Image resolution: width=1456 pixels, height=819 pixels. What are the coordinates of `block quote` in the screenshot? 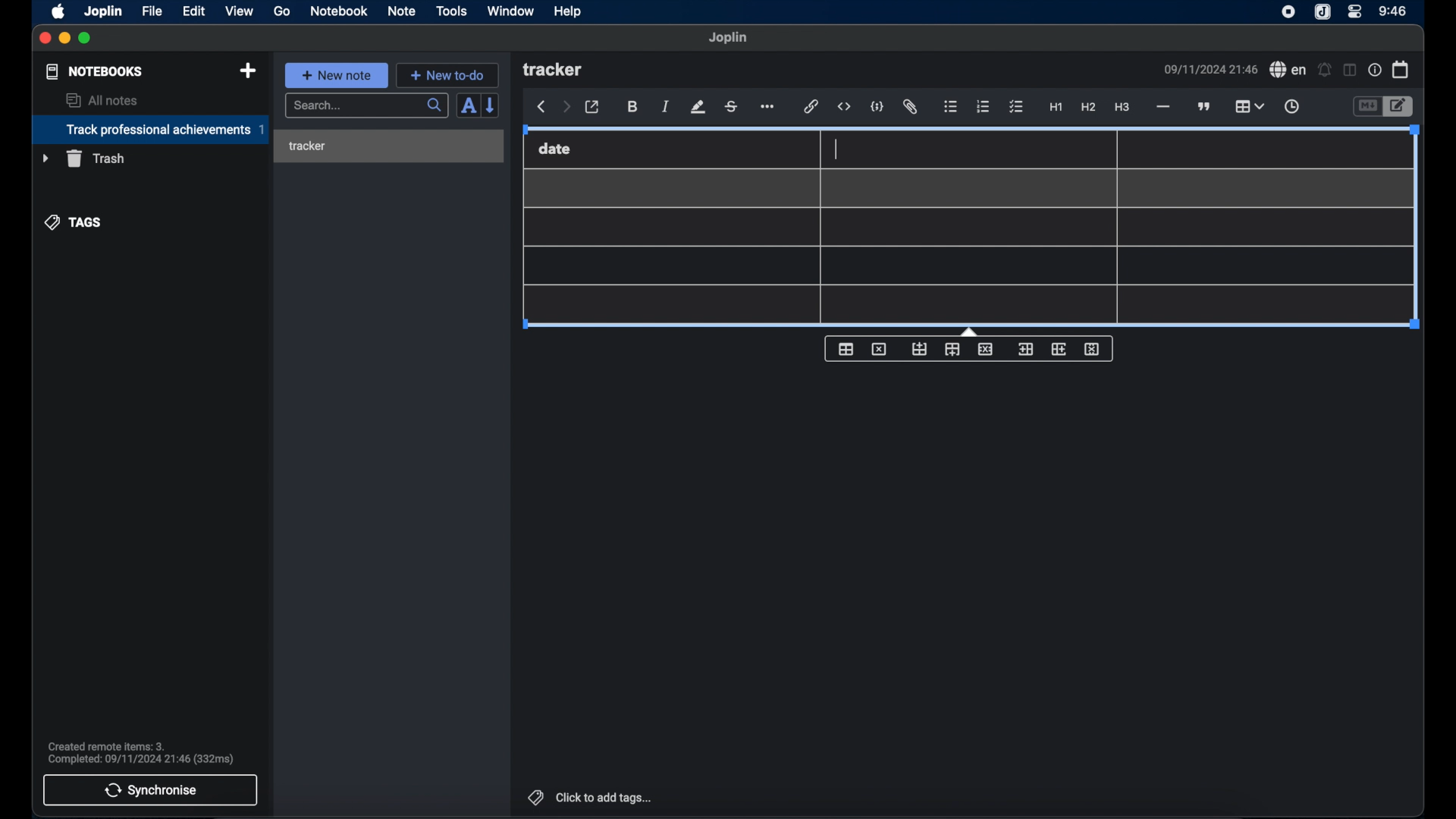 It's located at (1205, 106).